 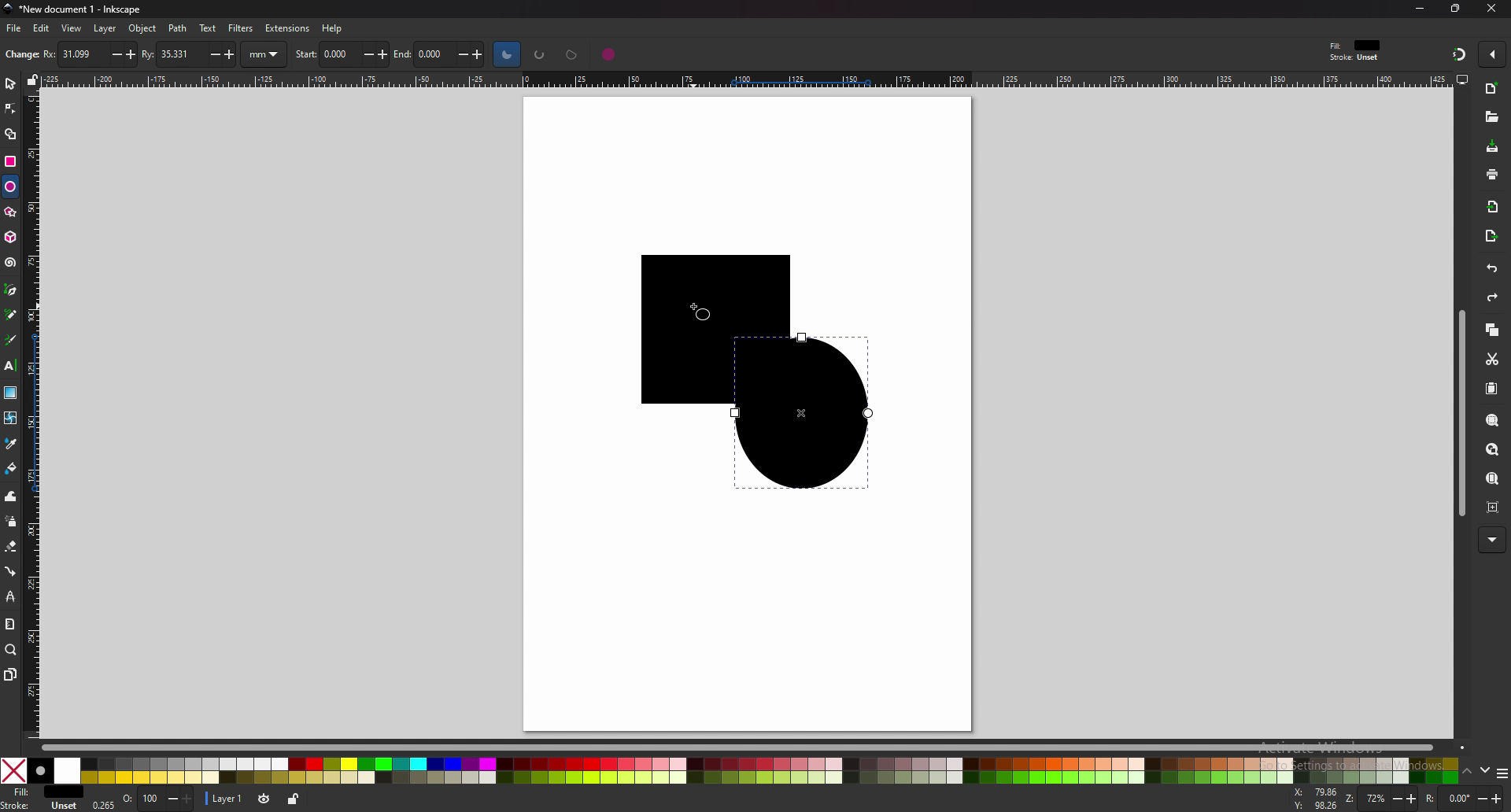 What do you see at coordinates (1491, 357) in the screenshot?
I see `cut` at bounding box center [1491, 357].